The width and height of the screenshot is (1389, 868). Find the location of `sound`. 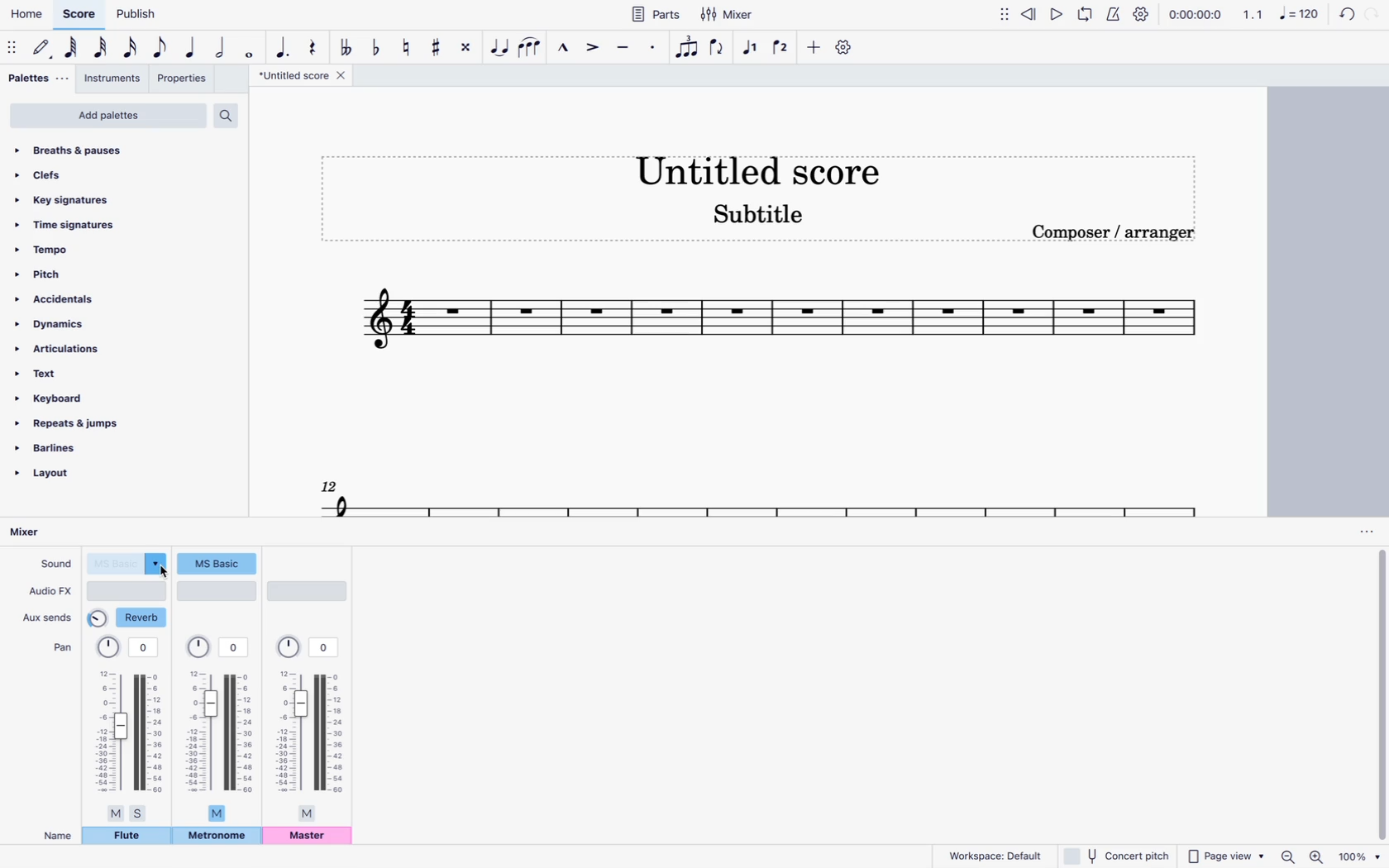

sound is located at coordinates (54, 562).